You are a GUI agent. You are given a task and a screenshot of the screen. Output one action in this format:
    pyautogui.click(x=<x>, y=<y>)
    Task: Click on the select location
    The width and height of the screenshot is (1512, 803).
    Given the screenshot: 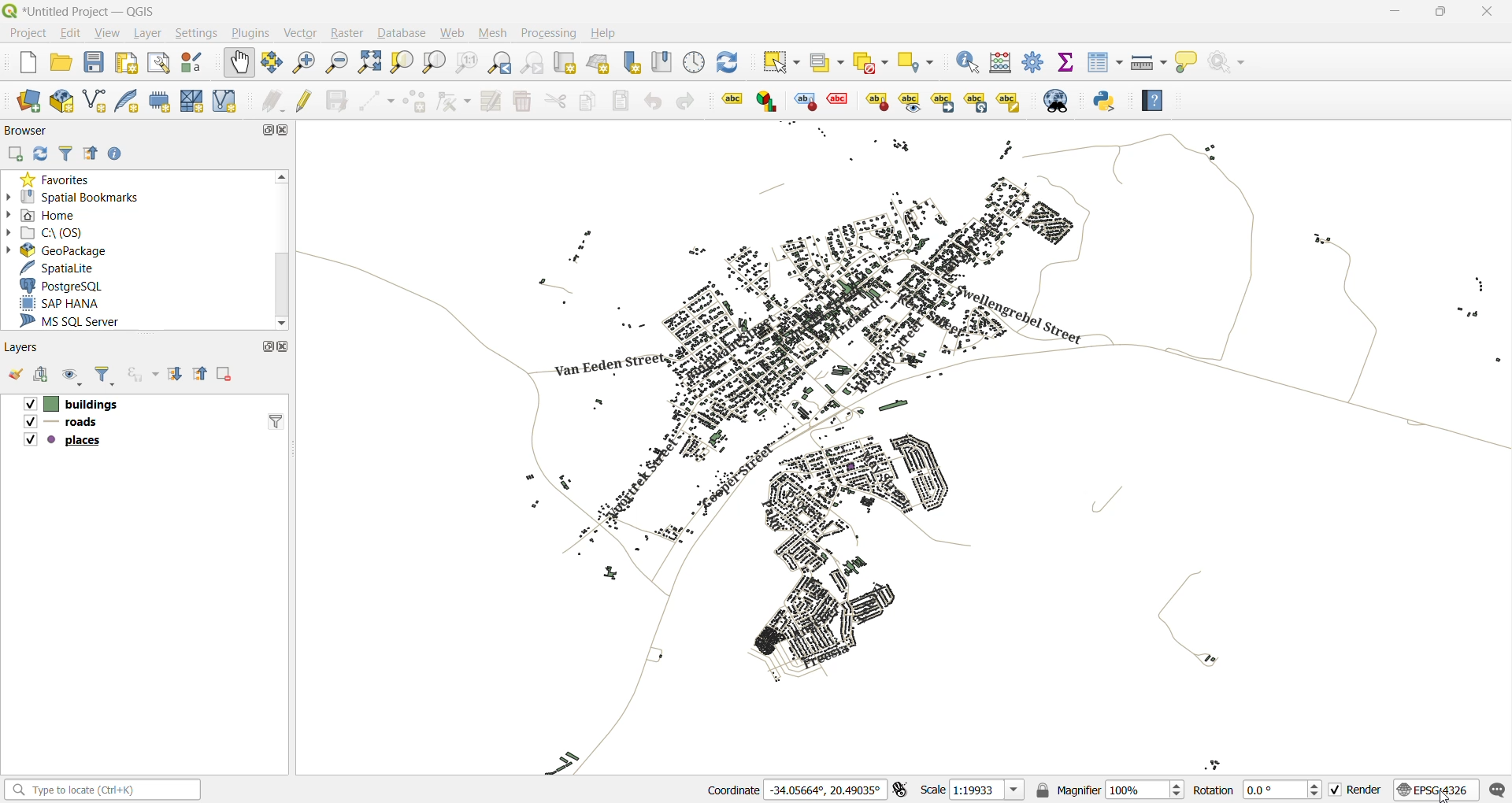 What is the action you would take?
    pyautogui.click(x=918, y=62)
    